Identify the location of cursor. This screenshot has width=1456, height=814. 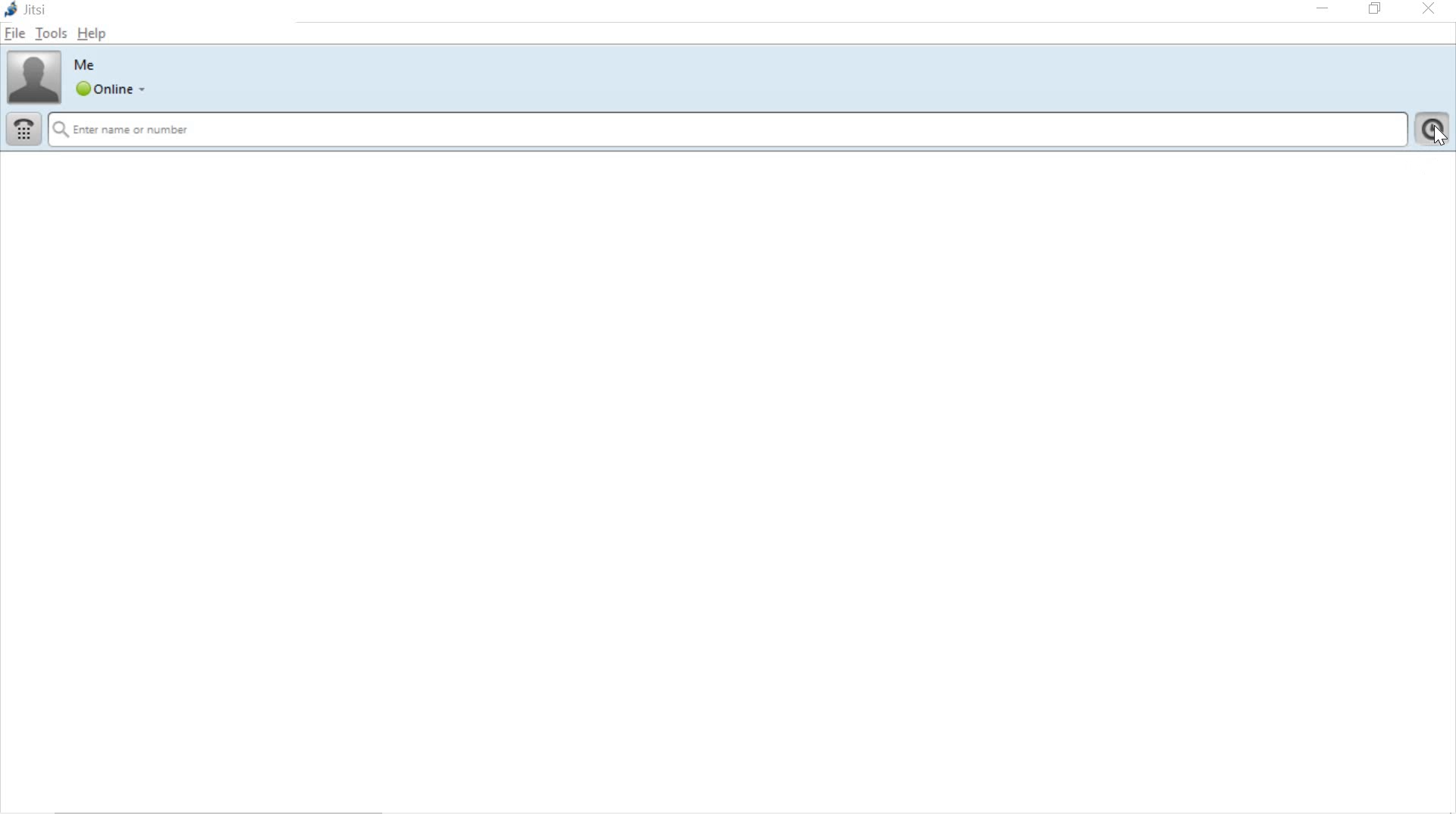
(1442, 136).